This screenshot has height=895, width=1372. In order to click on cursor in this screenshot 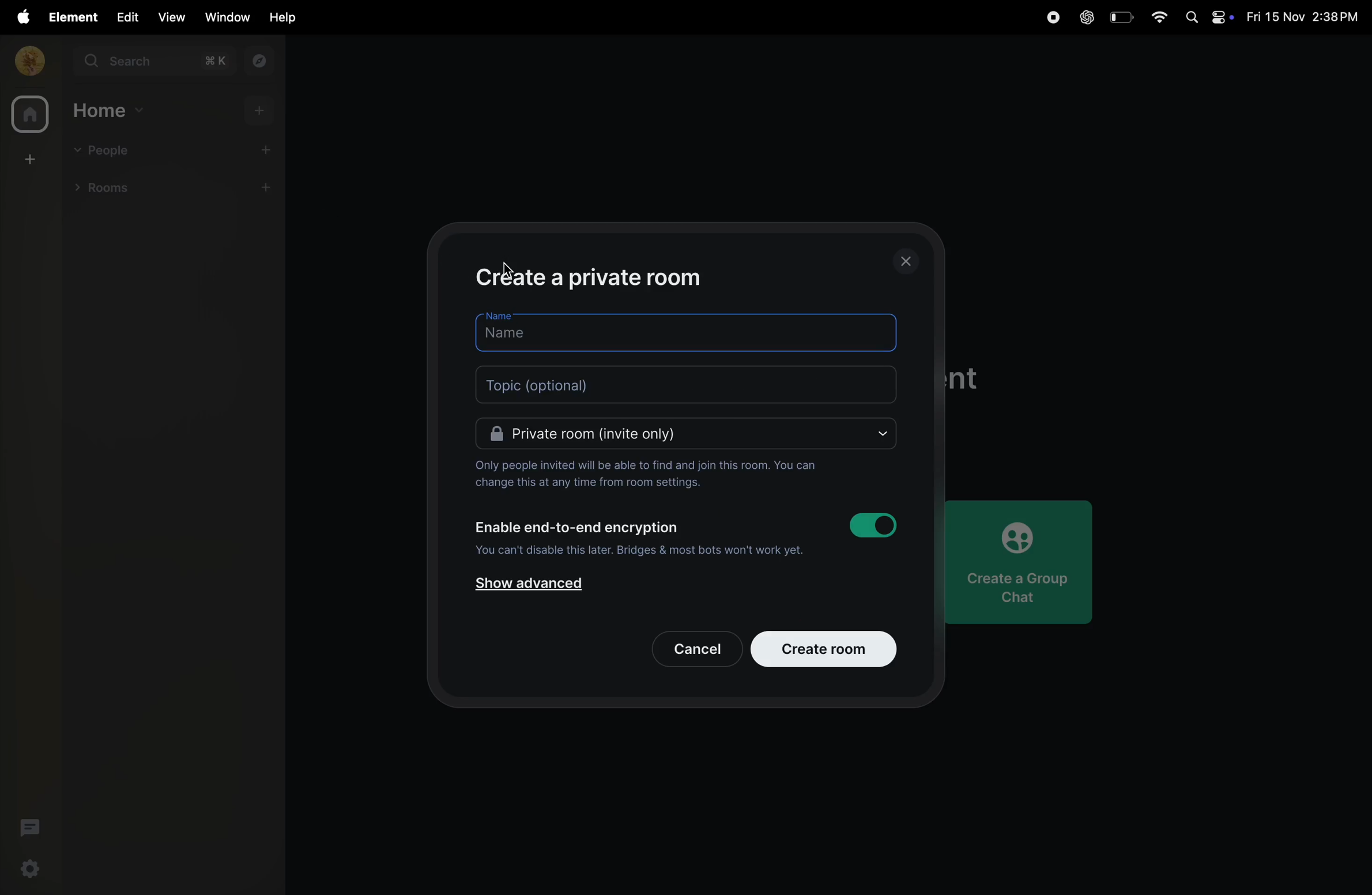, I will do `click(509, 269)`.